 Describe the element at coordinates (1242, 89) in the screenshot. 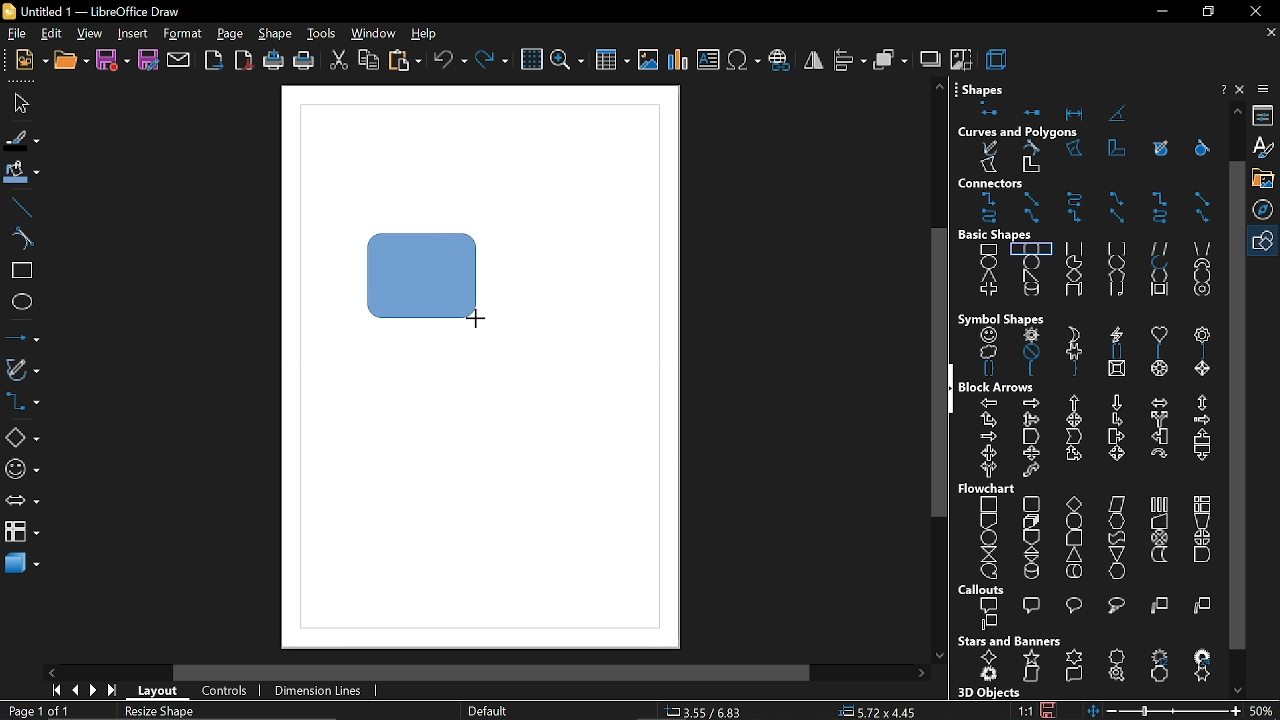

I see `close` at that location.